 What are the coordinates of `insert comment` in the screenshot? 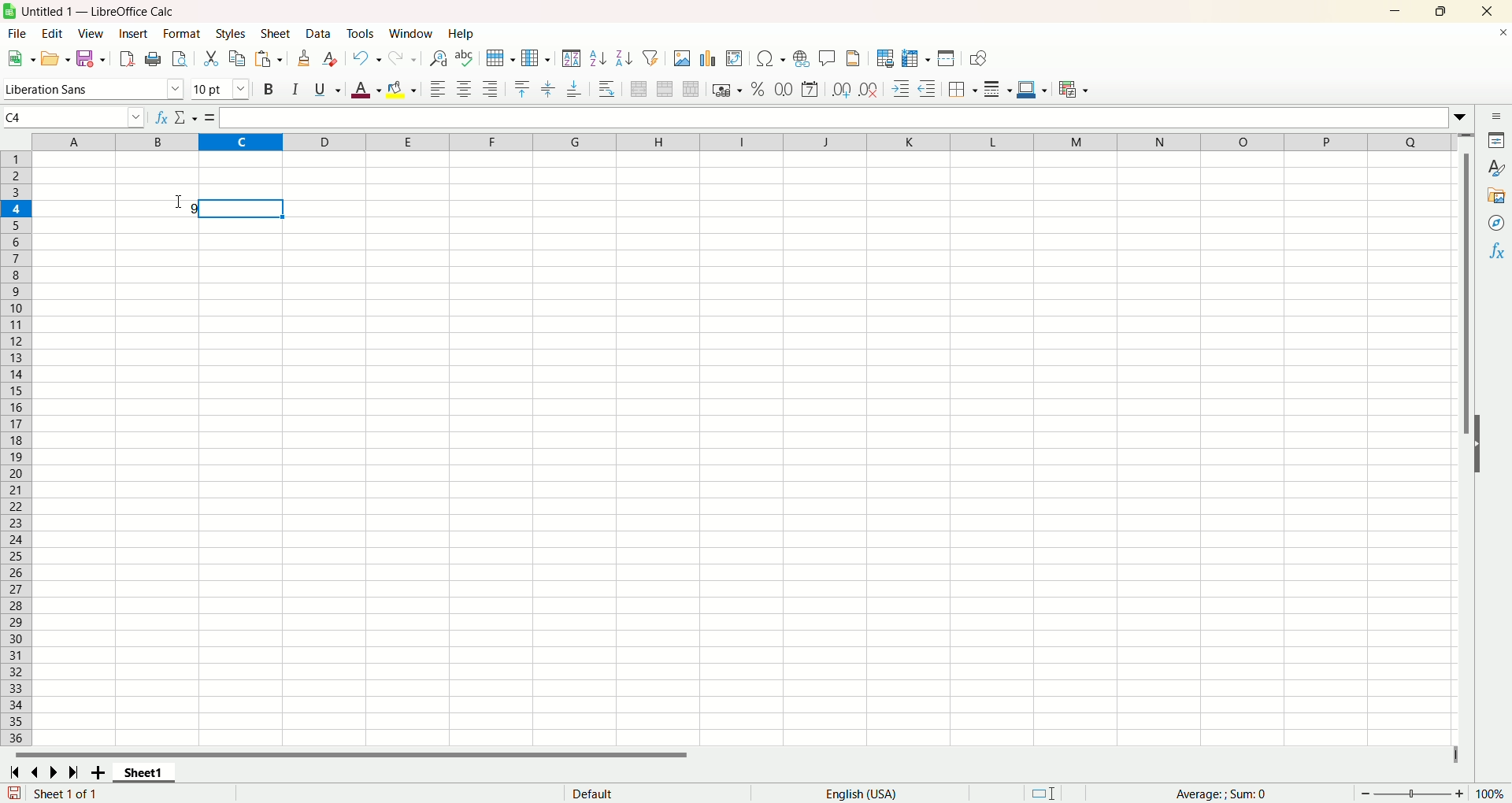 It's located at (825, 58).